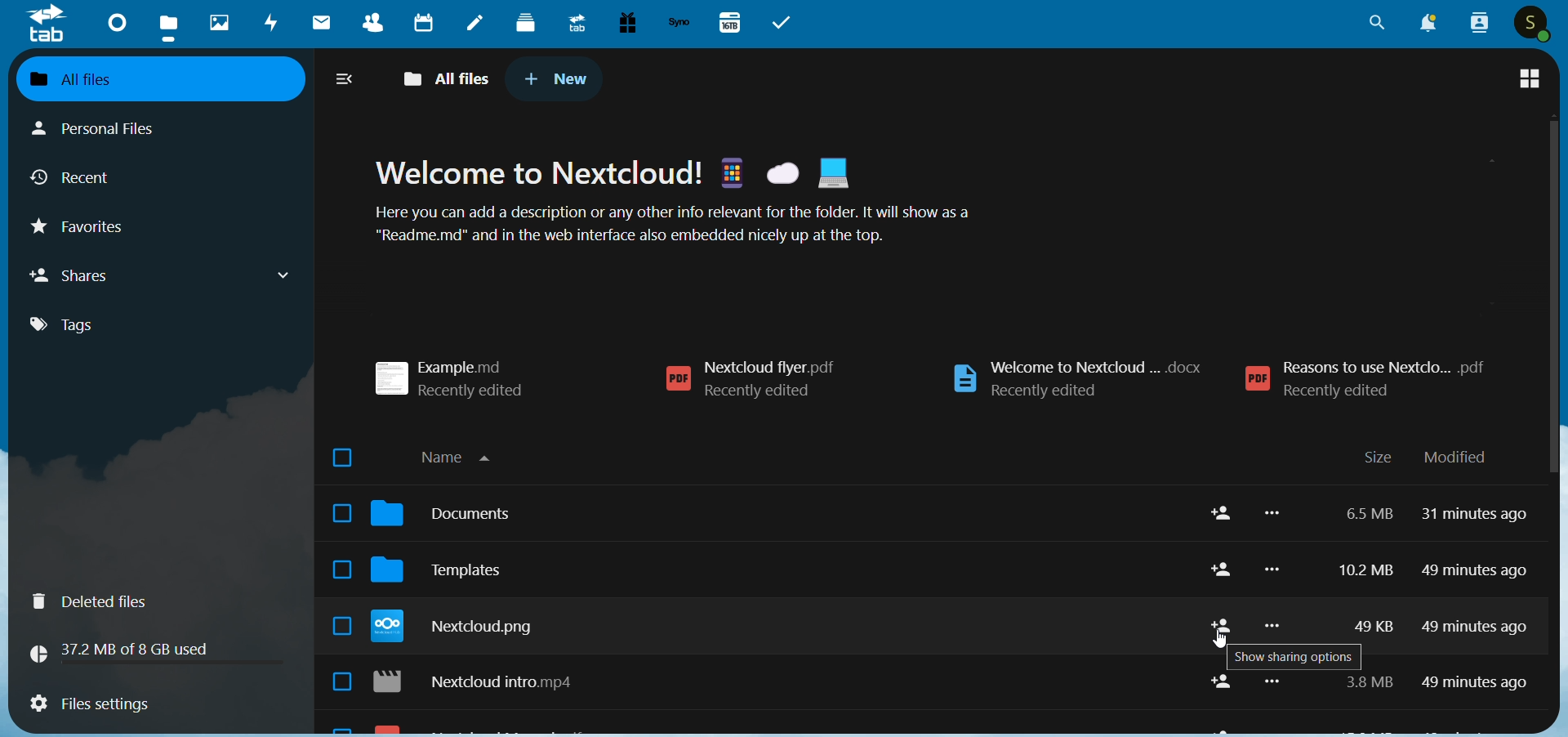 This screenshot has height=737, width=1568. Describe the element at coordinates (461, 373) in the screenshot. I see `example` at that location.